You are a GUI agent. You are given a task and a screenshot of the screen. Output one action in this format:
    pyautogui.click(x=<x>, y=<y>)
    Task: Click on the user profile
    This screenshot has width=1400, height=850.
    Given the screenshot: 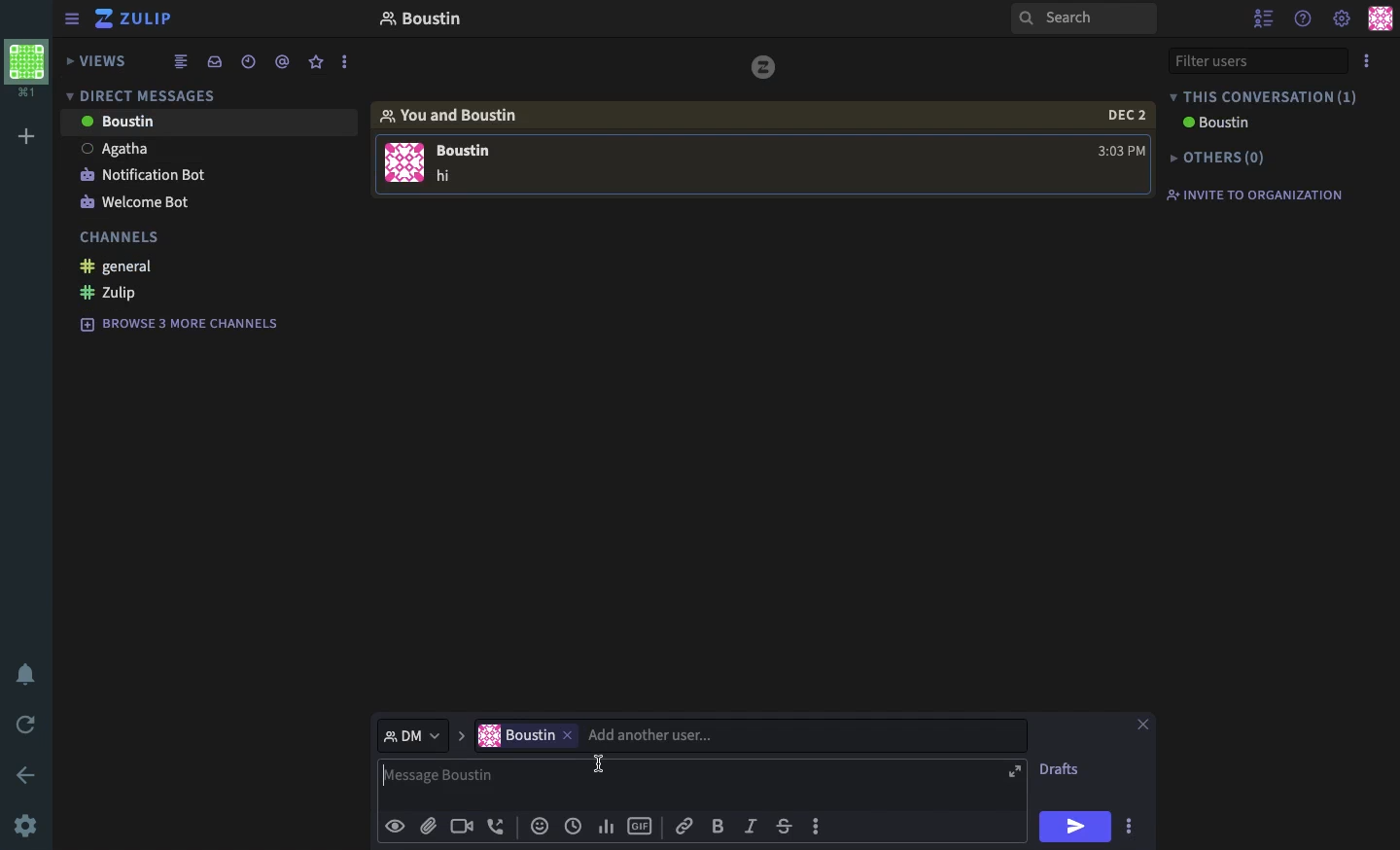 What is the action you would take?
    pyautogui.click(x=403, y=162)
    